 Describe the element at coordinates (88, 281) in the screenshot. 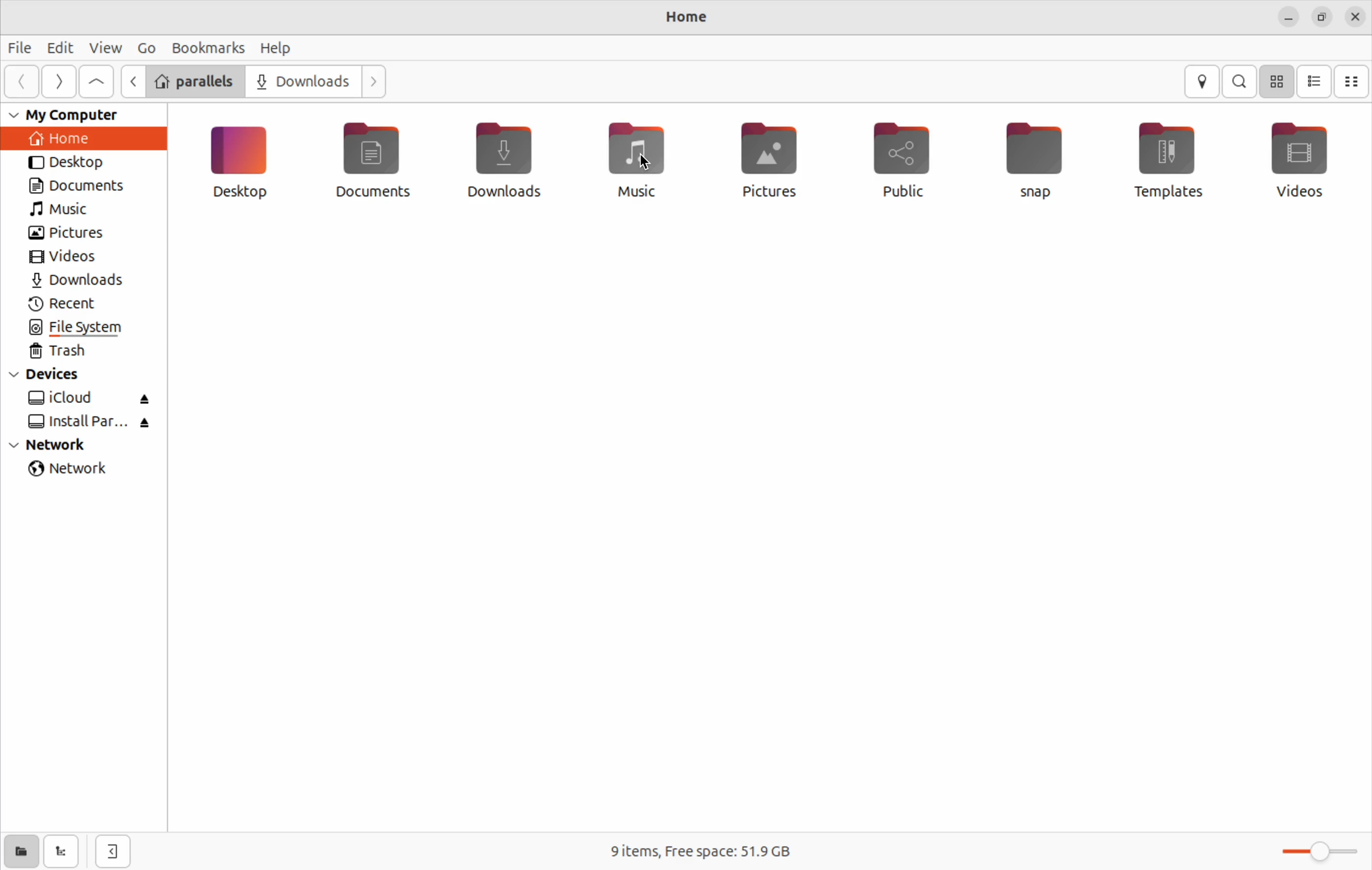

I see `downloads` at that location.